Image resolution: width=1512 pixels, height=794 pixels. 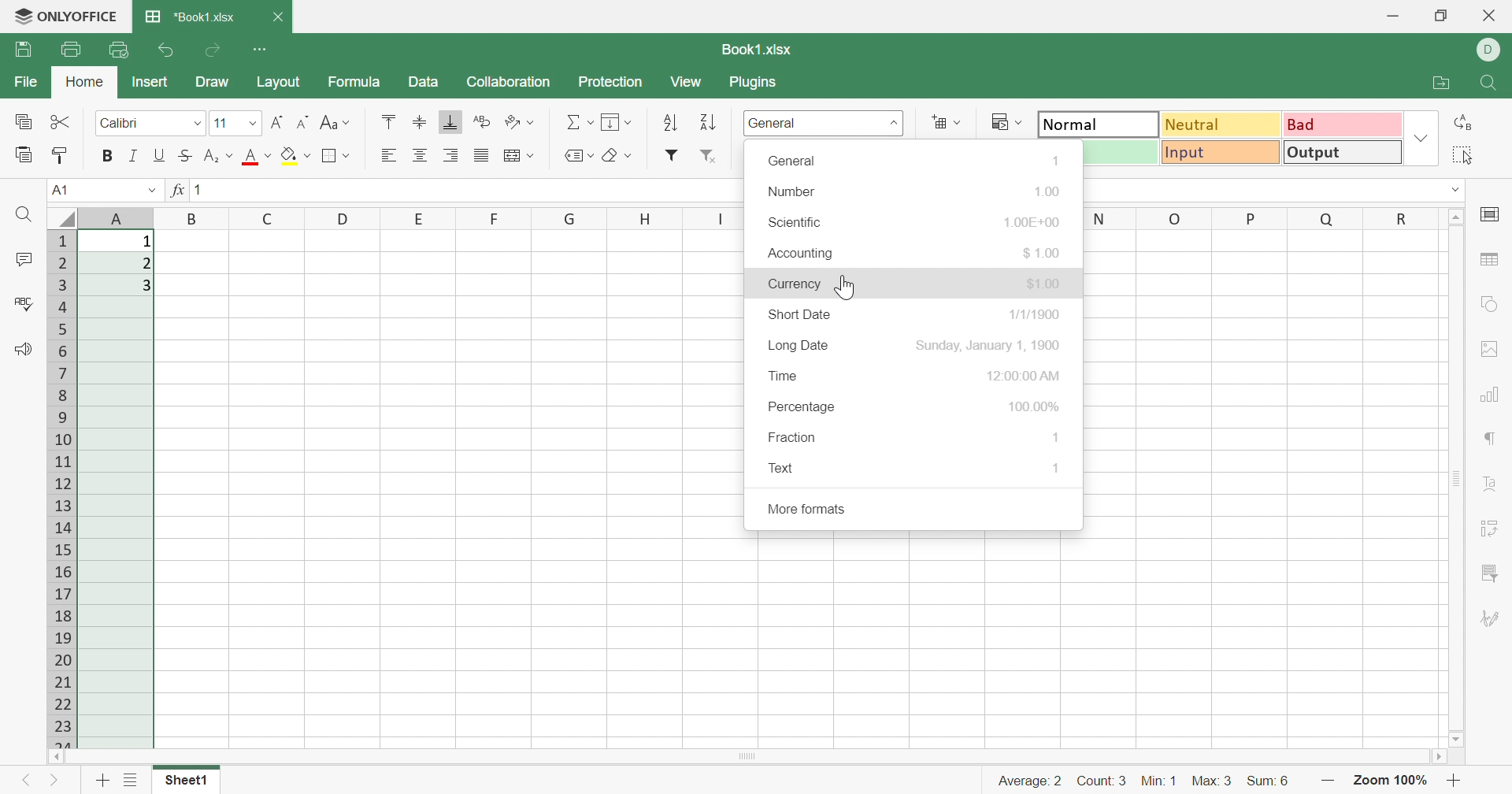 I want to click on Borders, so click(x=335, y=155).